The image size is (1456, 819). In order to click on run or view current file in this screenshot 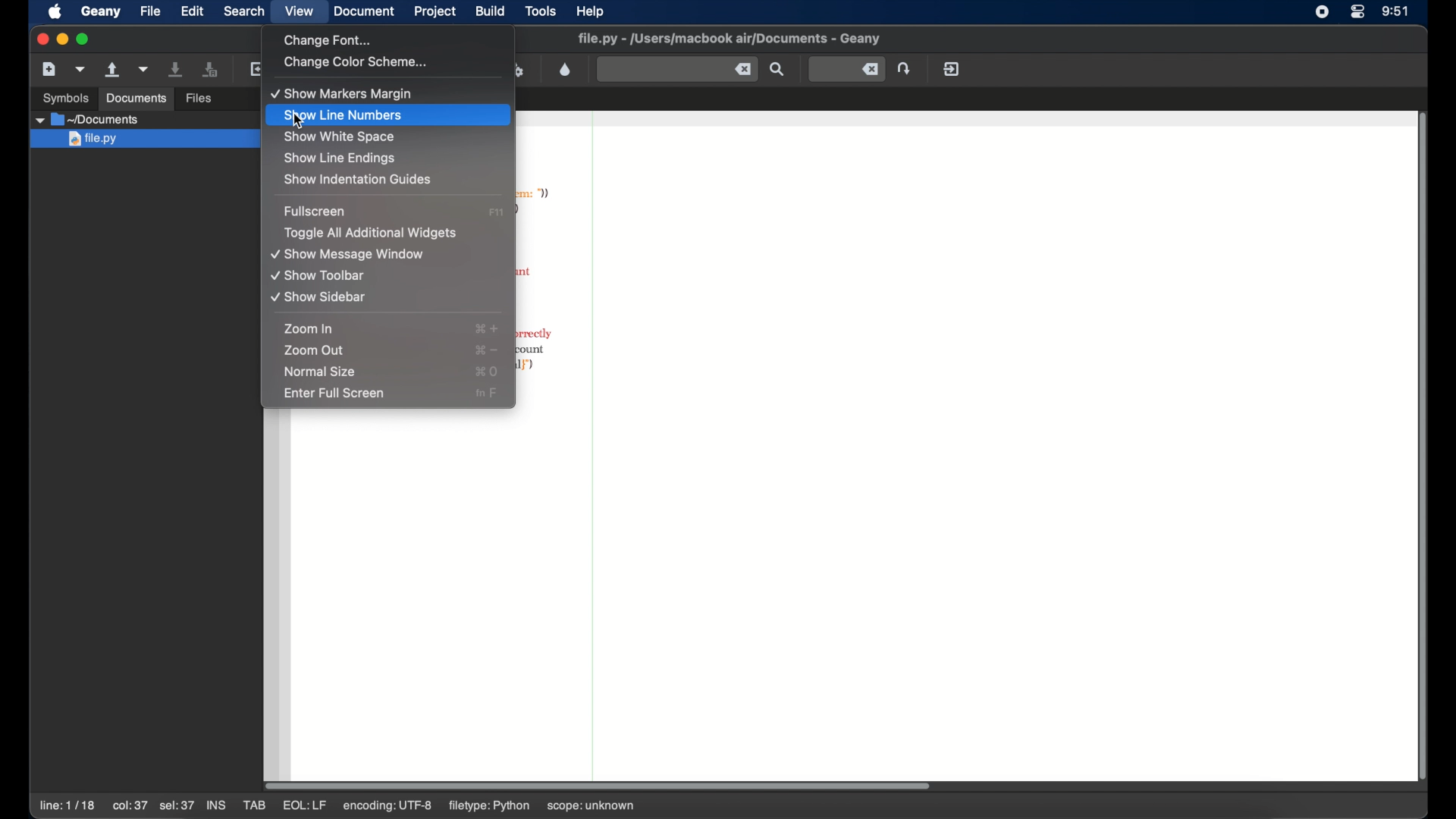, I will do `click(518, 69)`.